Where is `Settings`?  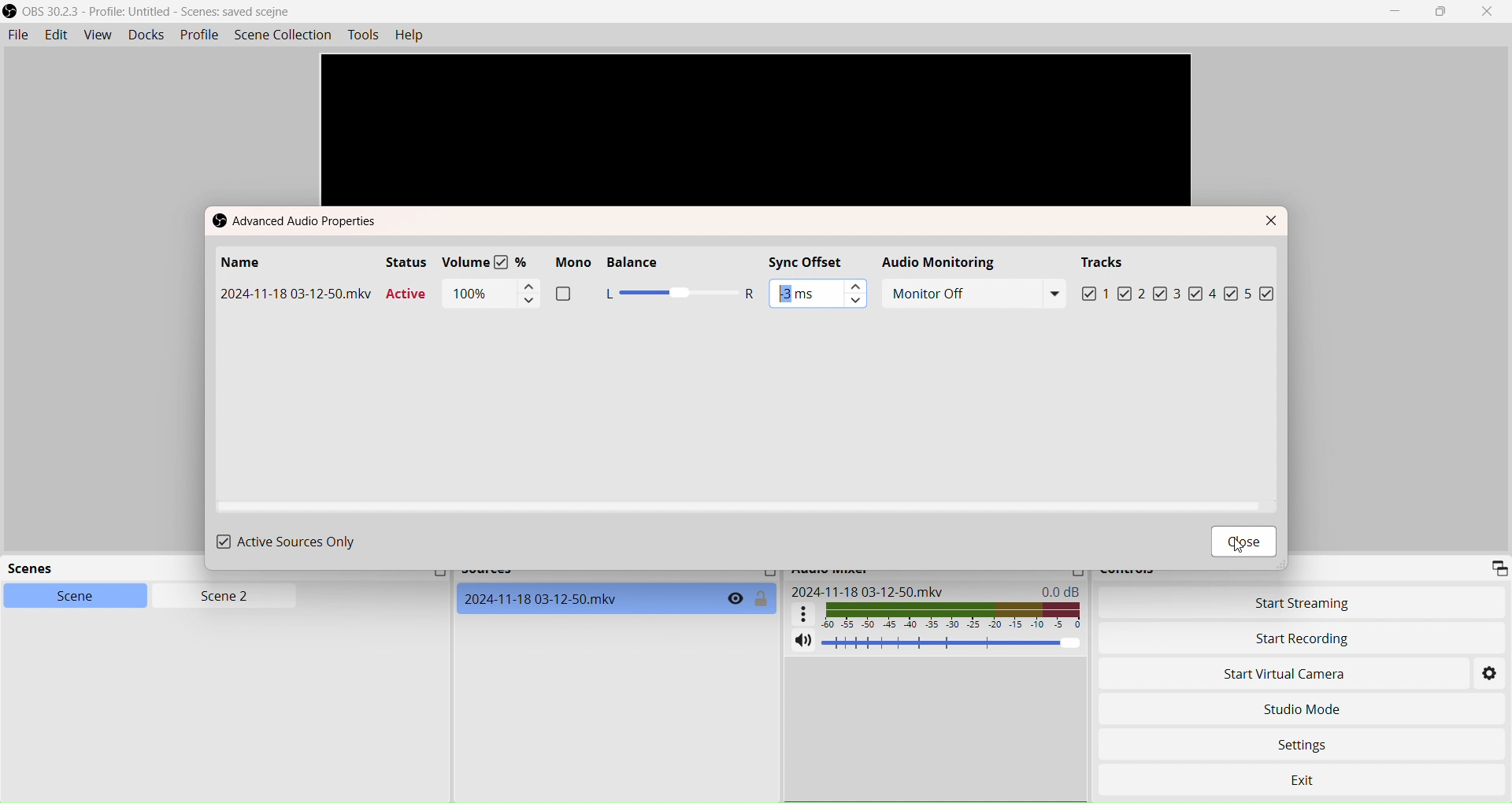
Settings is located at coordinates (1312, 742).